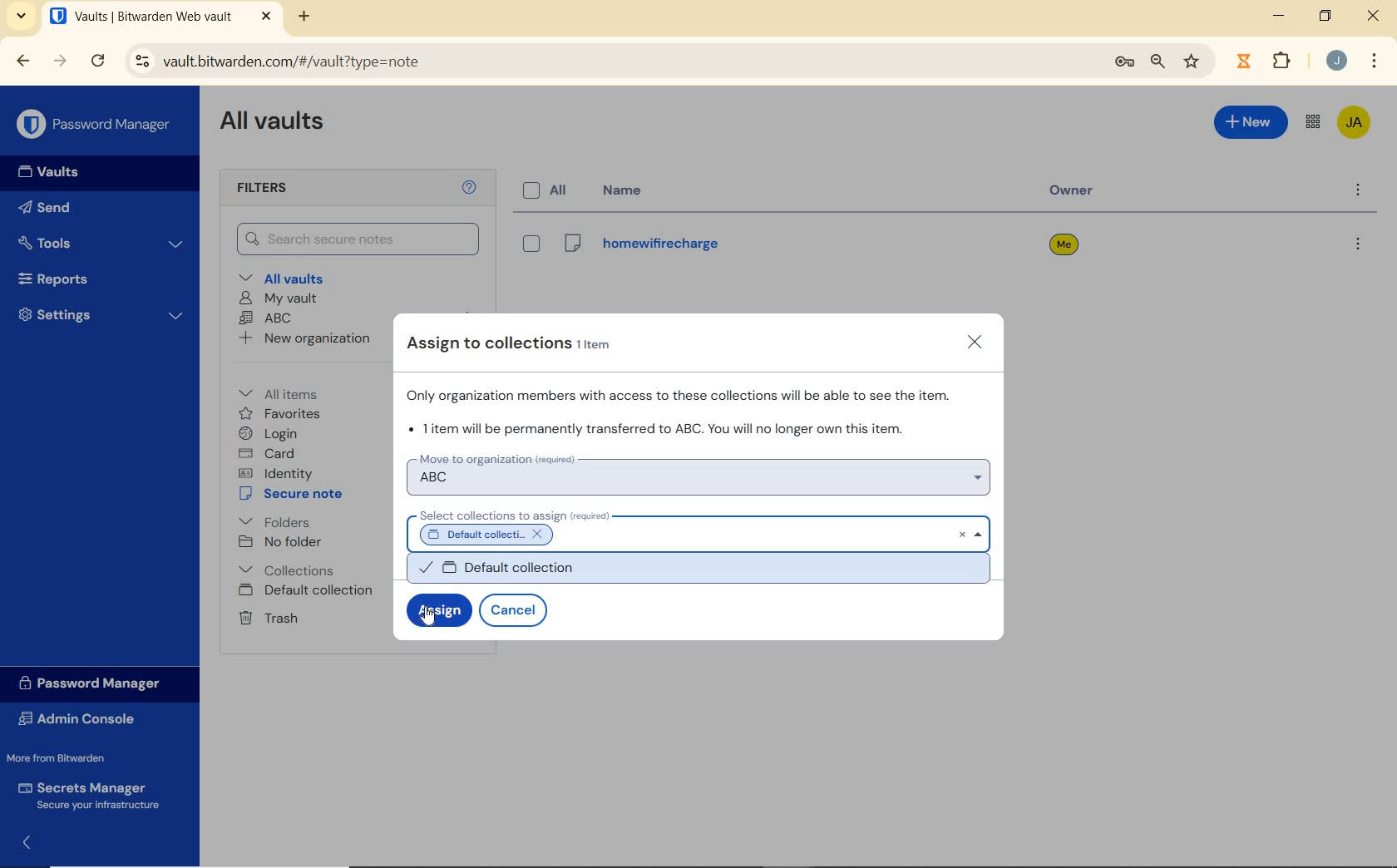 This screenshot has height=868, width=1397. Describe the element at coordinates (280, 414) in the screenshot. I see `favorites` at that location.